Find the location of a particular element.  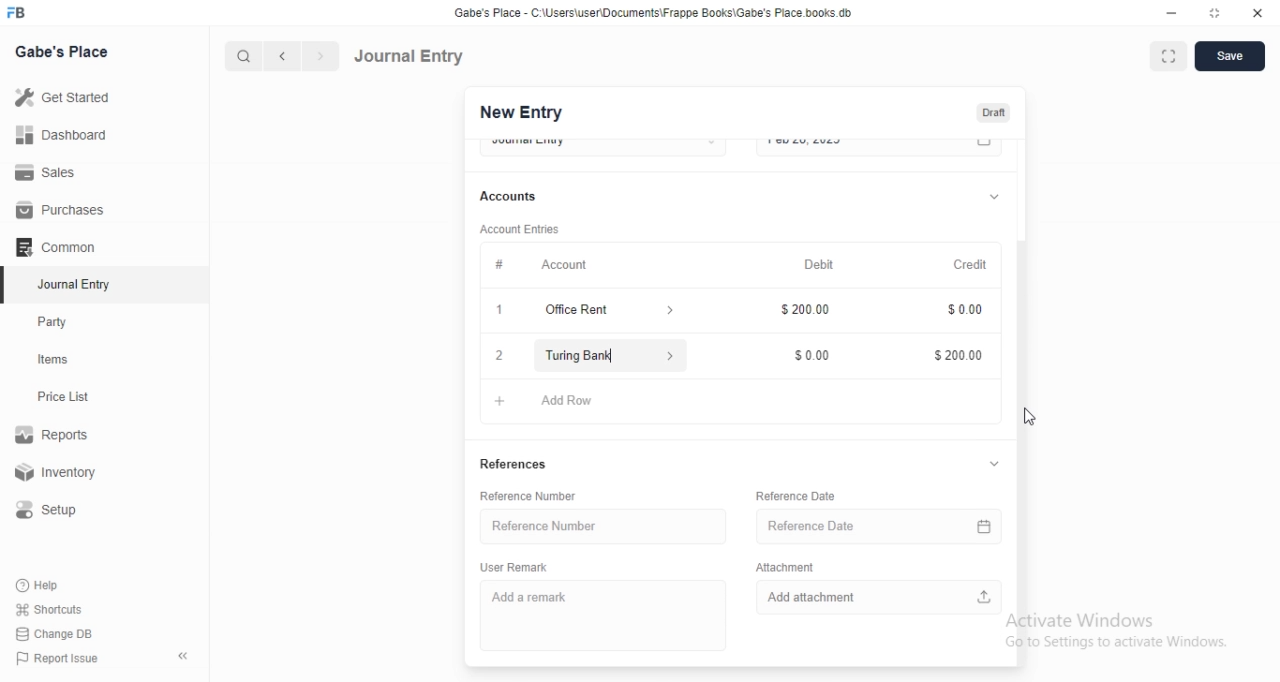

+ AddRow is located at coordinates (733, 403).